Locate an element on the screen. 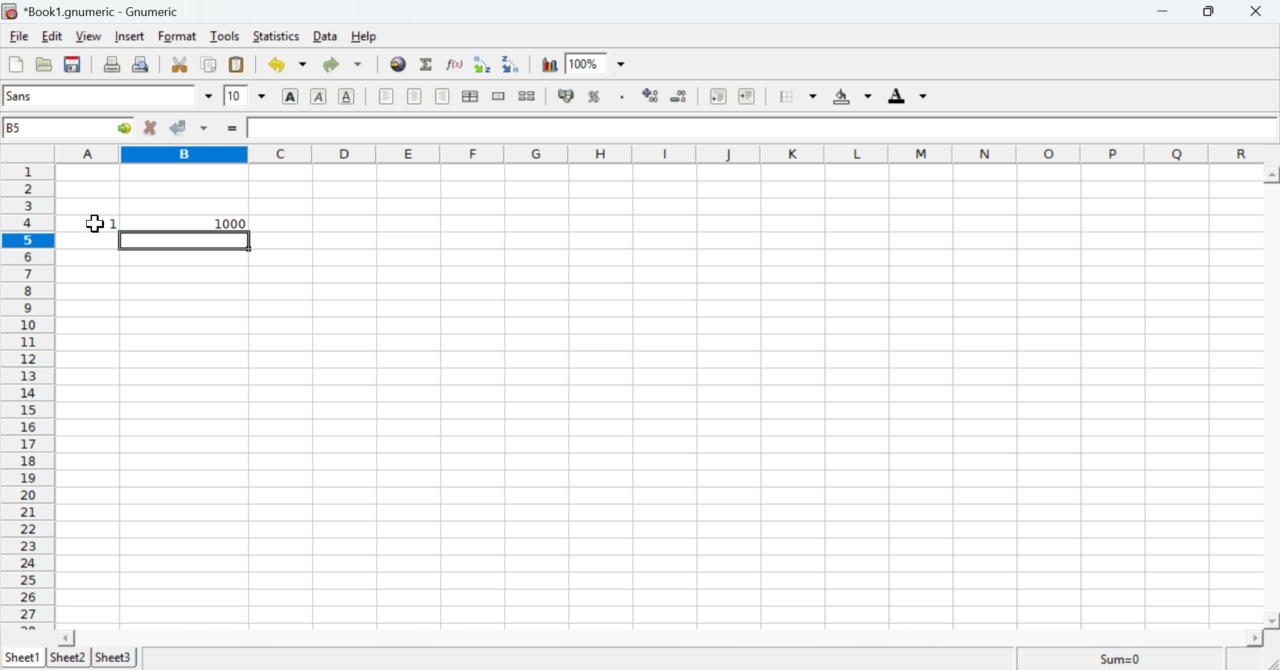 The height and width of the screenshot is (670, 1280). Tools is located at coordinates (226, 36).